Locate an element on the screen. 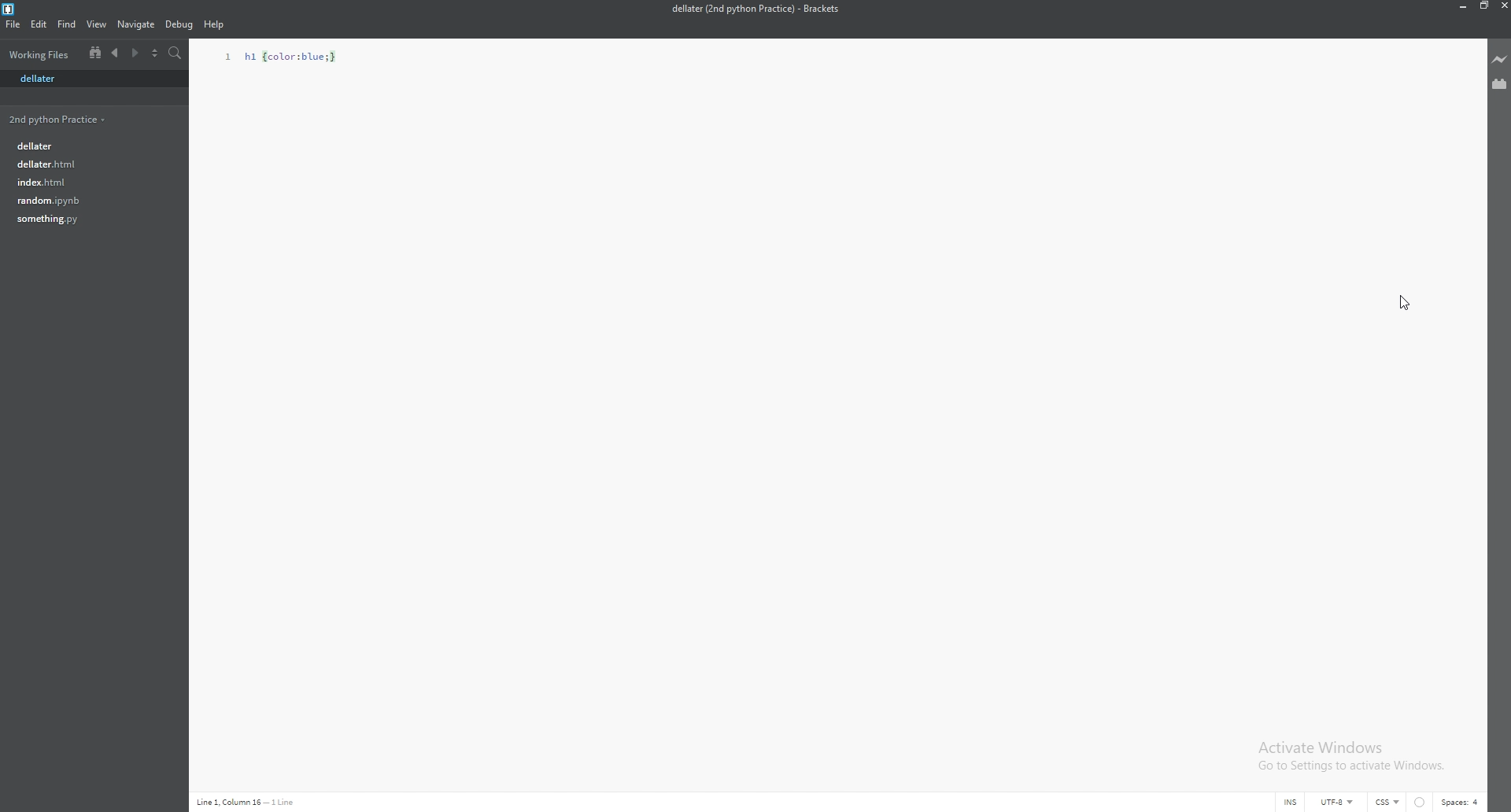 This screenshot has width=1511, height=812. description is located at coordinates (246, 802).